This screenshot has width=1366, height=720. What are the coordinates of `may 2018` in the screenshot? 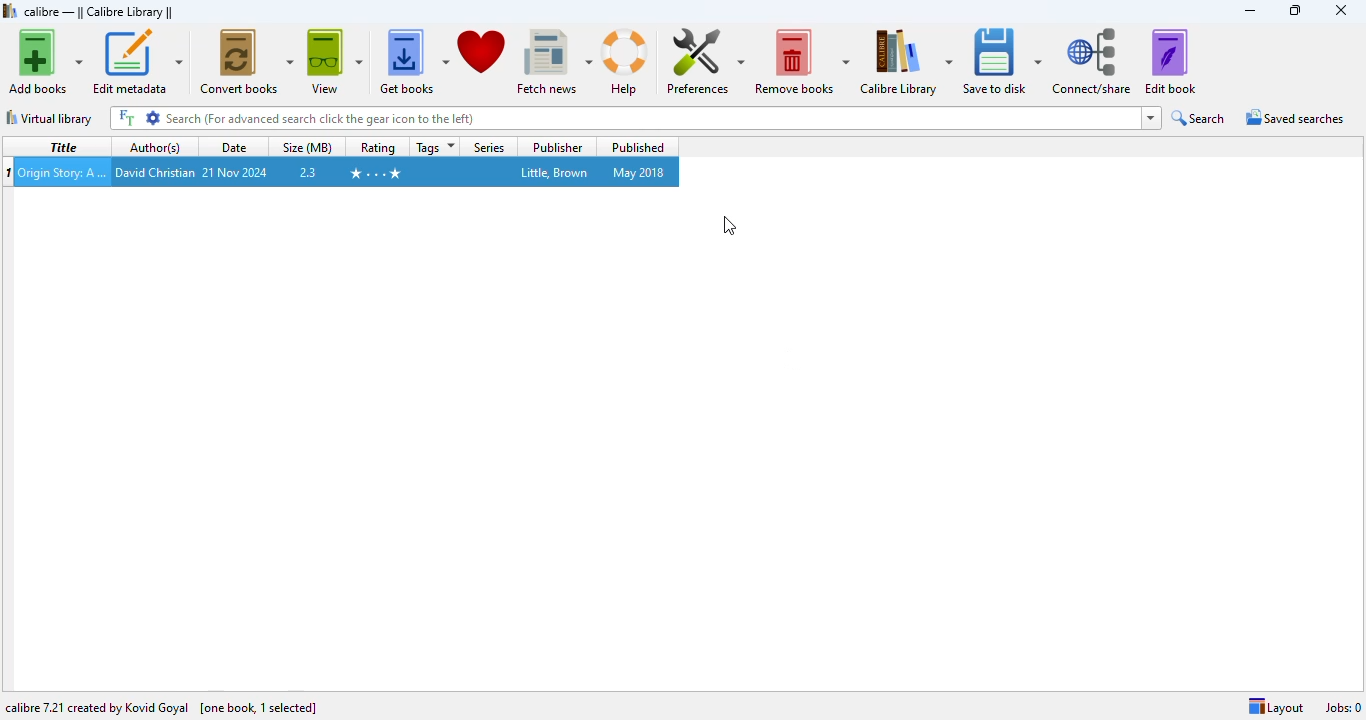 It's located at (637, 172).